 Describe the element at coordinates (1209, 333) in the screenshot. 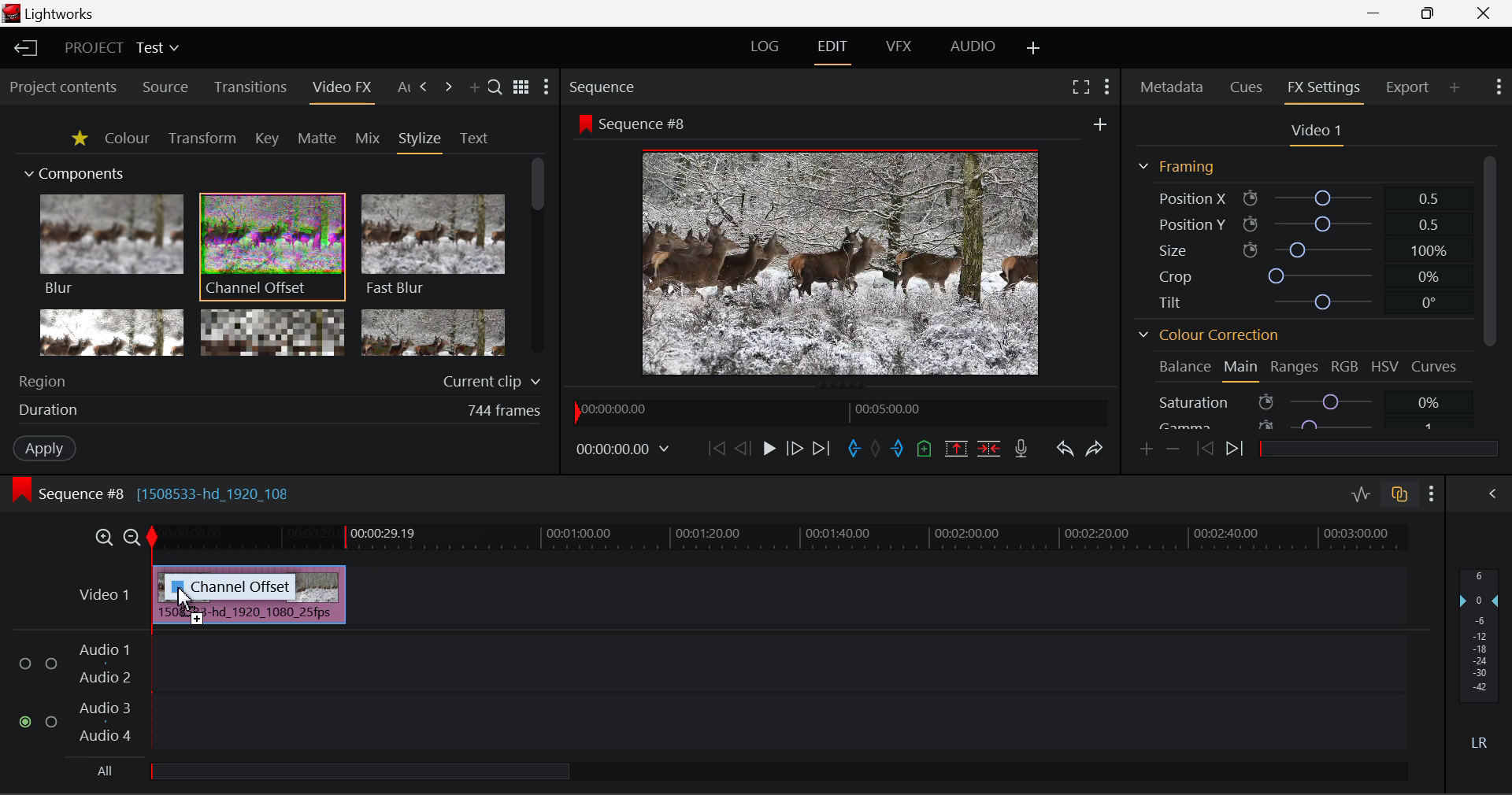

I see `Colour Correction` at that location.